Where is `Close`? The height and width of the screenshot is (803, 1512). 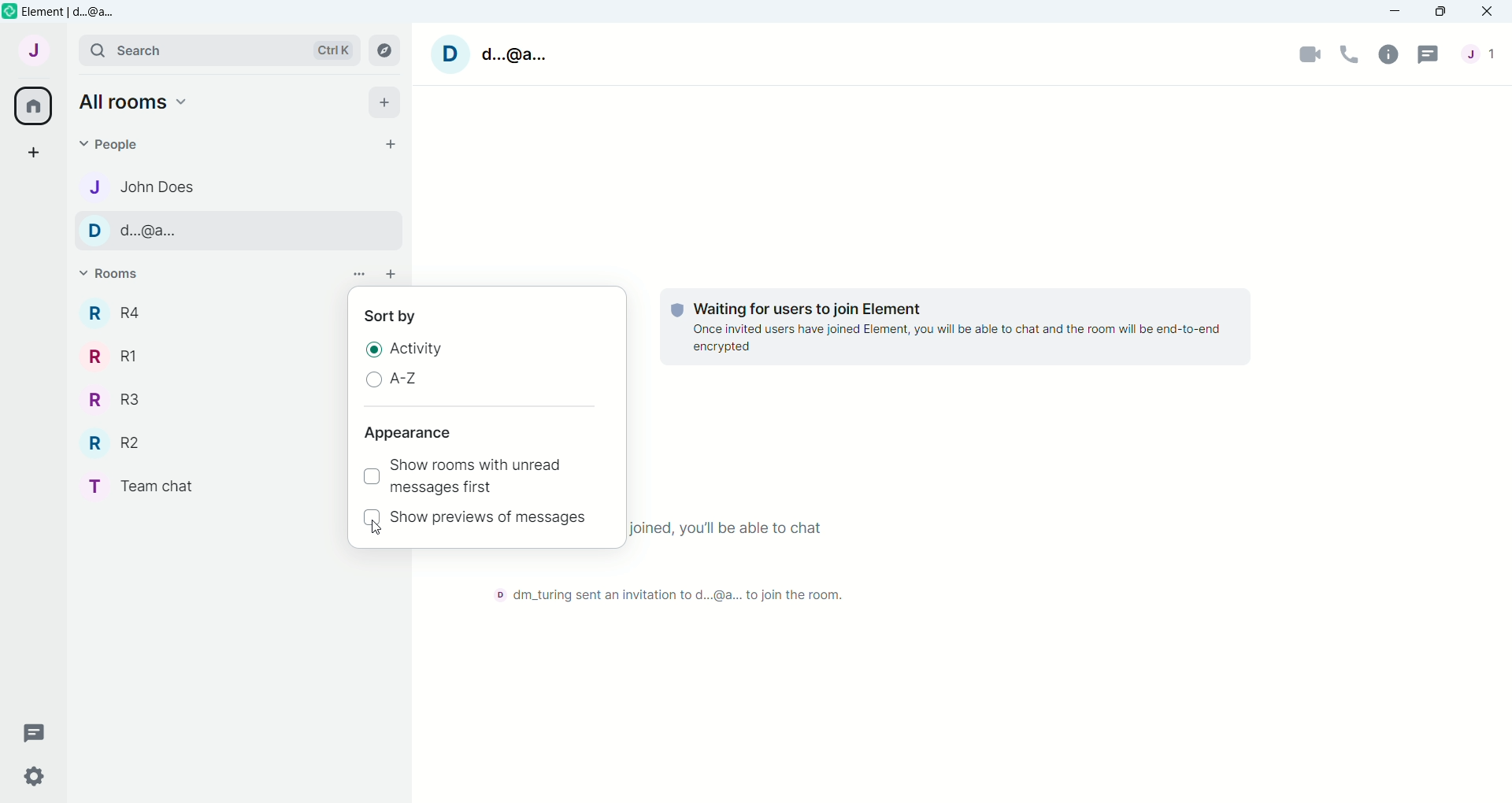
Close is located at coordinates (1488, 11).